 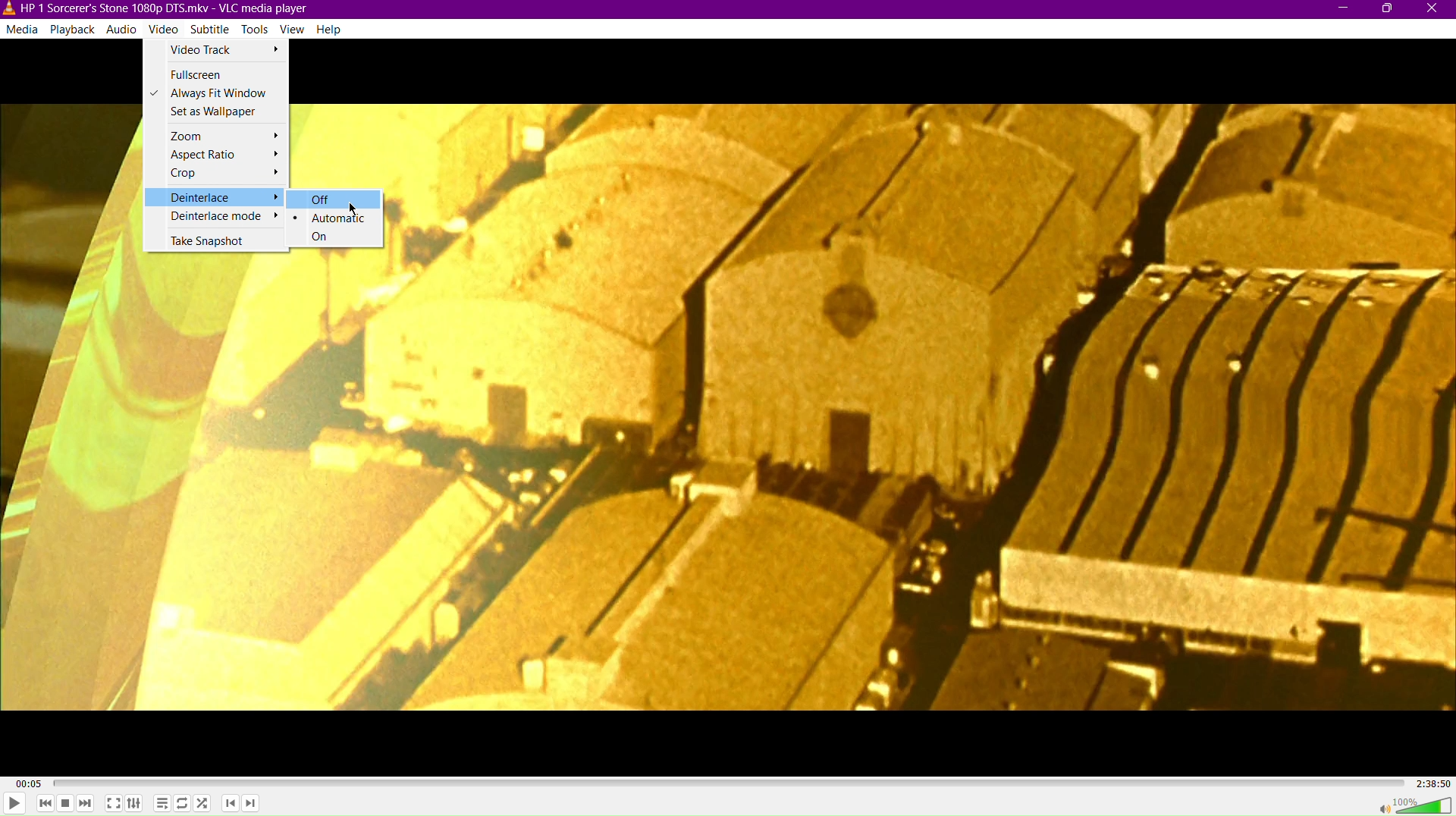 I want to click on Always Fit Window, so click(x=215, y=94).